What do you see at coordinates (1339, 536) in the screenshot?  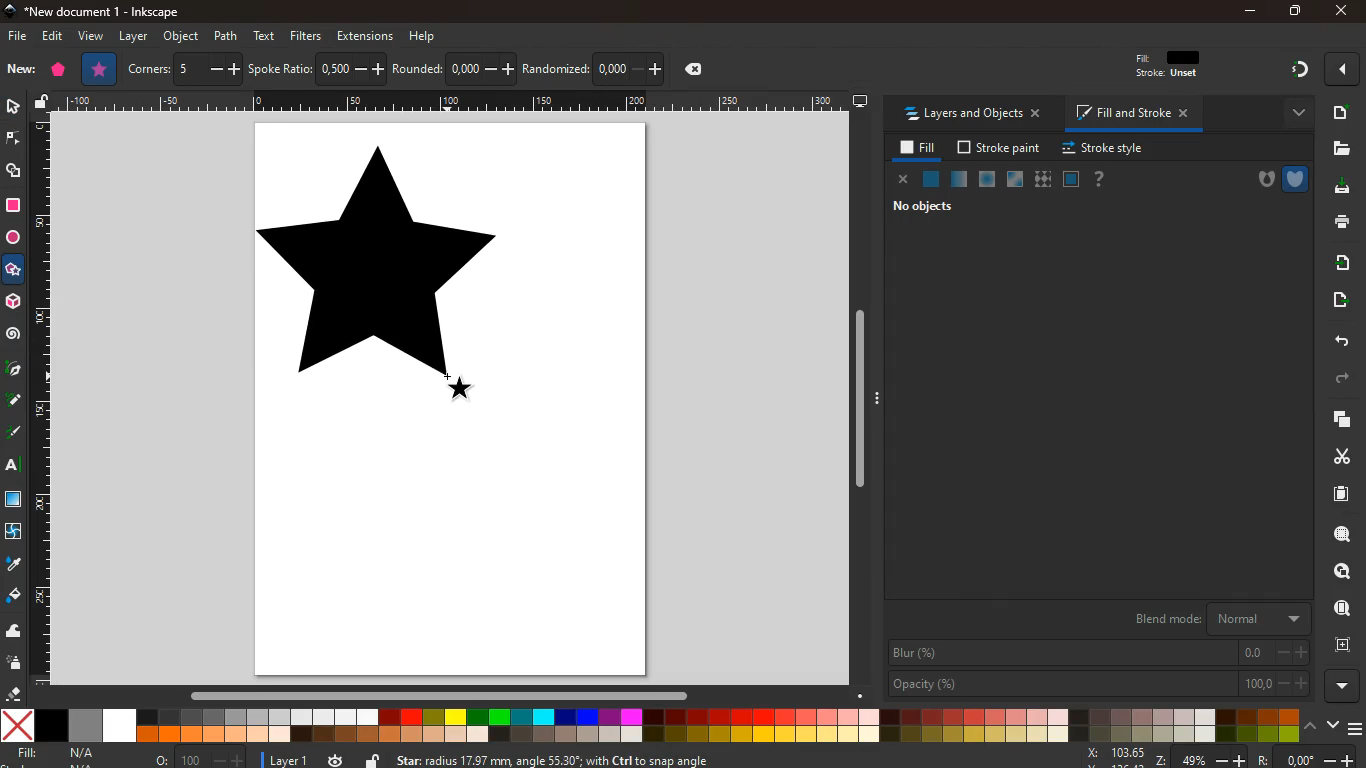 I see `zoom` at bounding box center [1339, 536].